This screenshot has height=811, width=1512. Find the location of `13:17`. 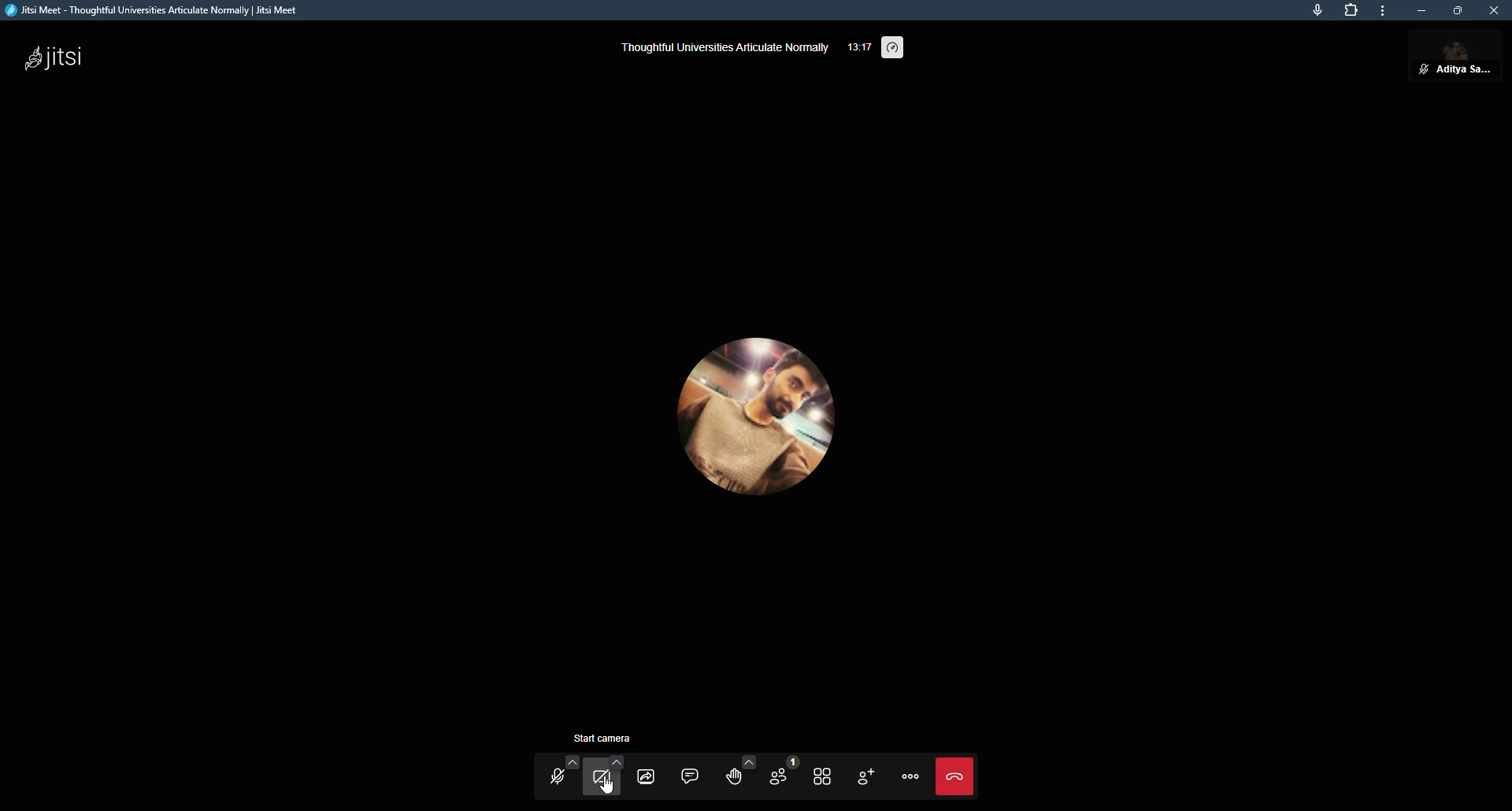

13:17 is located at coordinates (858, 50).